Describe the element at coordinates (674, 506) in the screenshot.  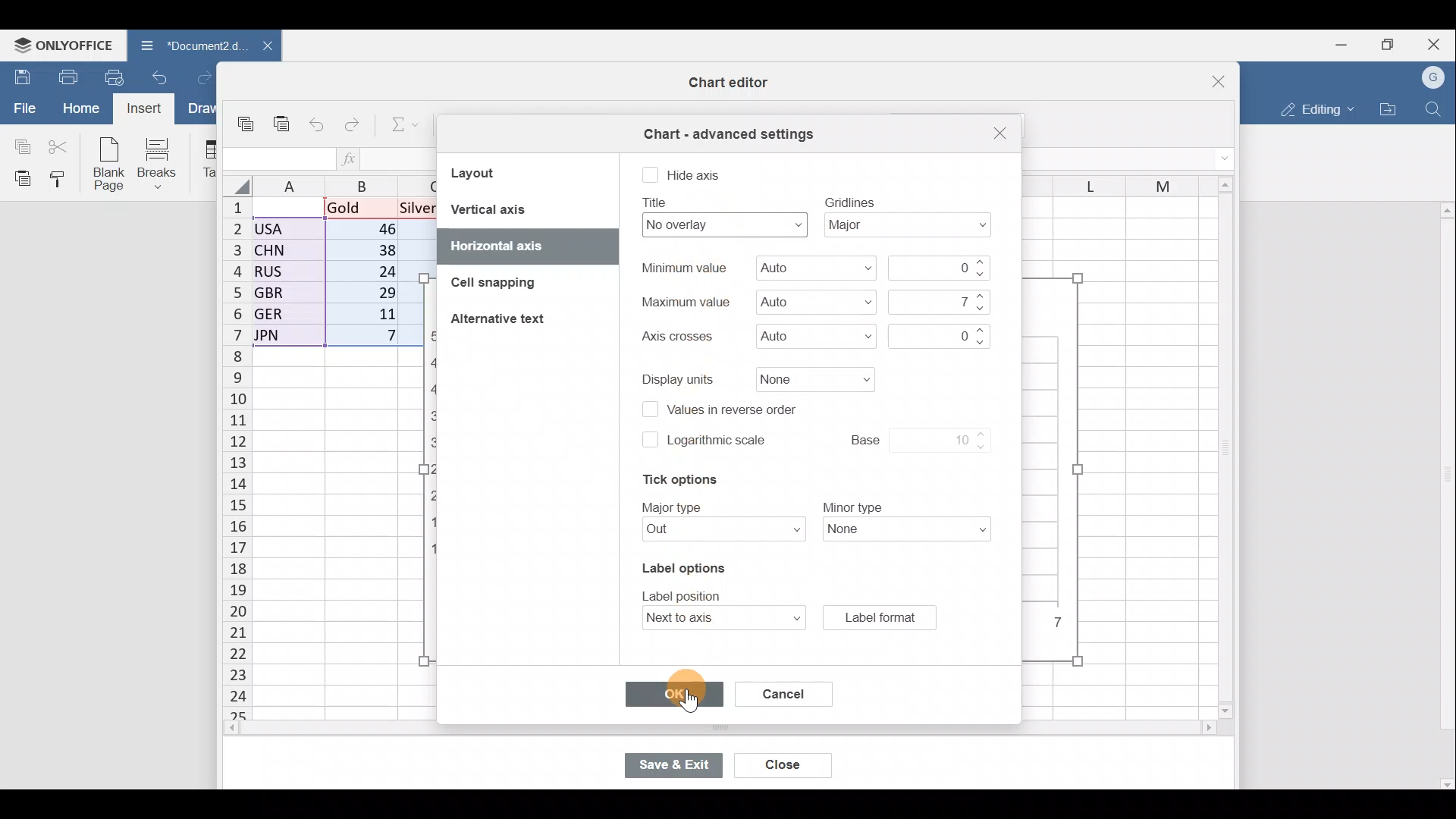
I see `text` at that location.